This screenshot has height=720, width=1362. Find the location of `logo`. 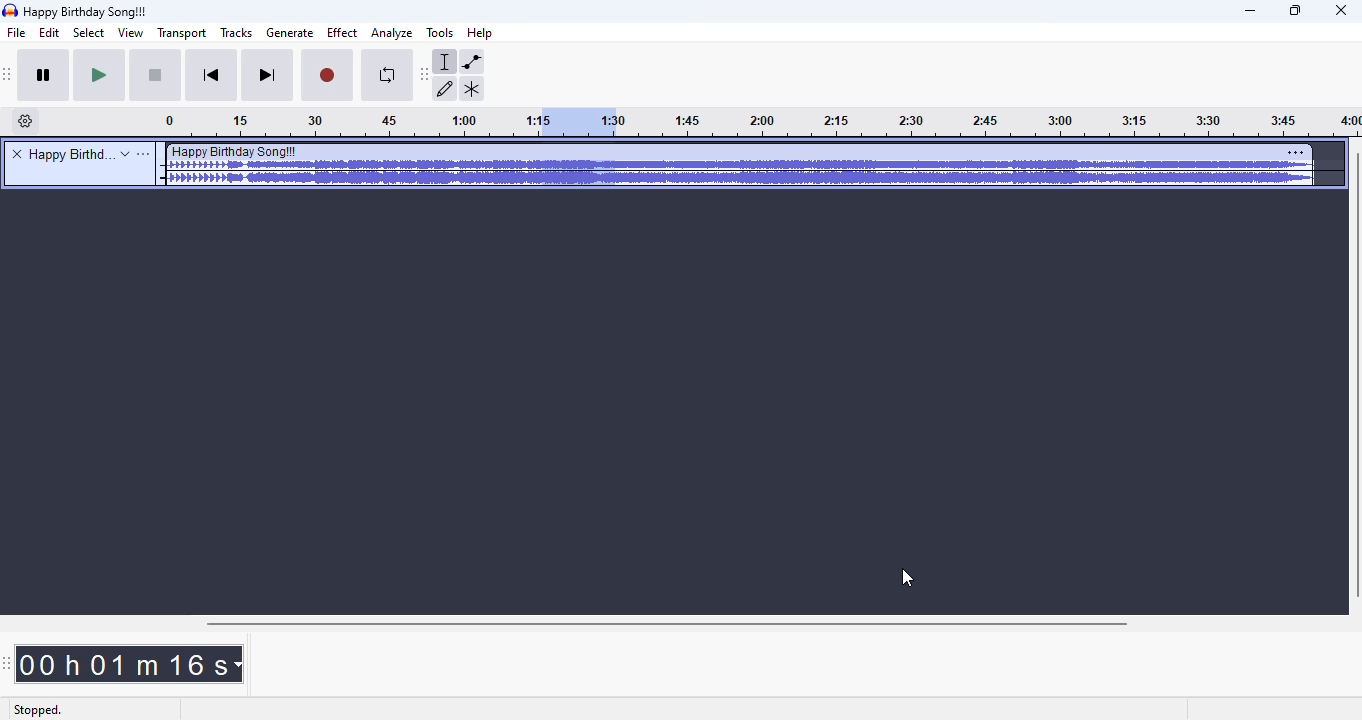

logo is located at coordinates (10, 10).